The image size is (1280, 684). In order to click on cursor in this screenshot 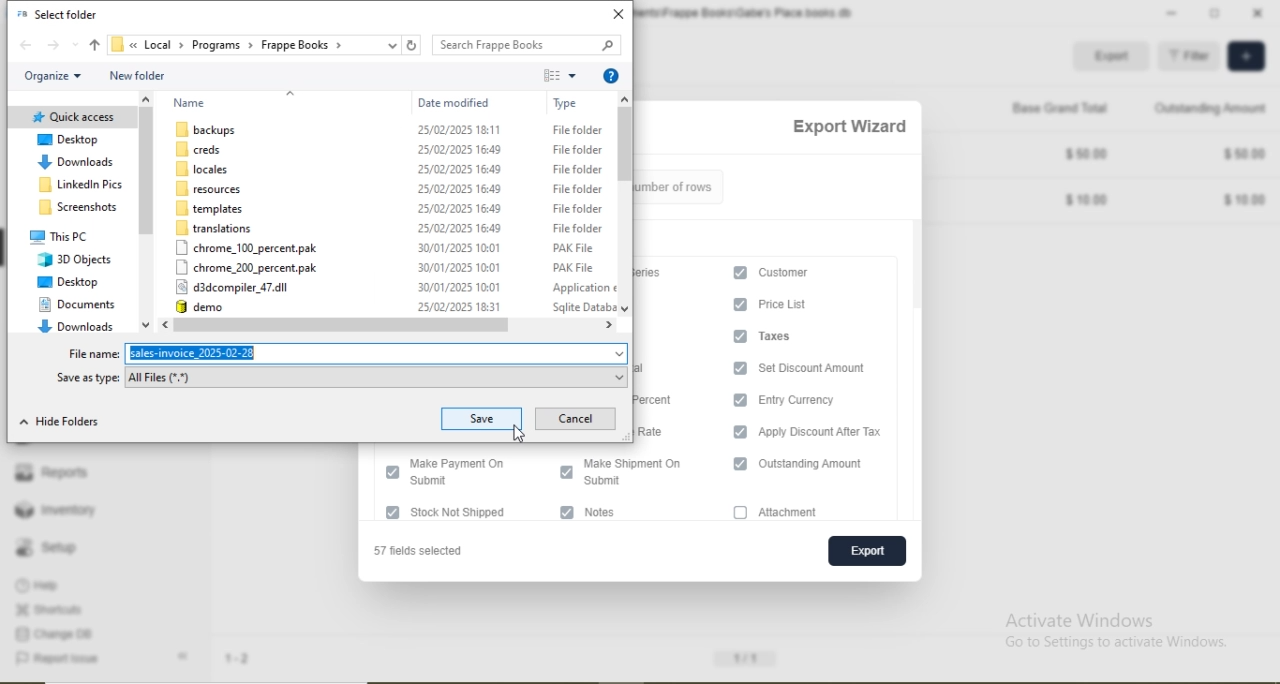, I will do `click(521, 435)`.